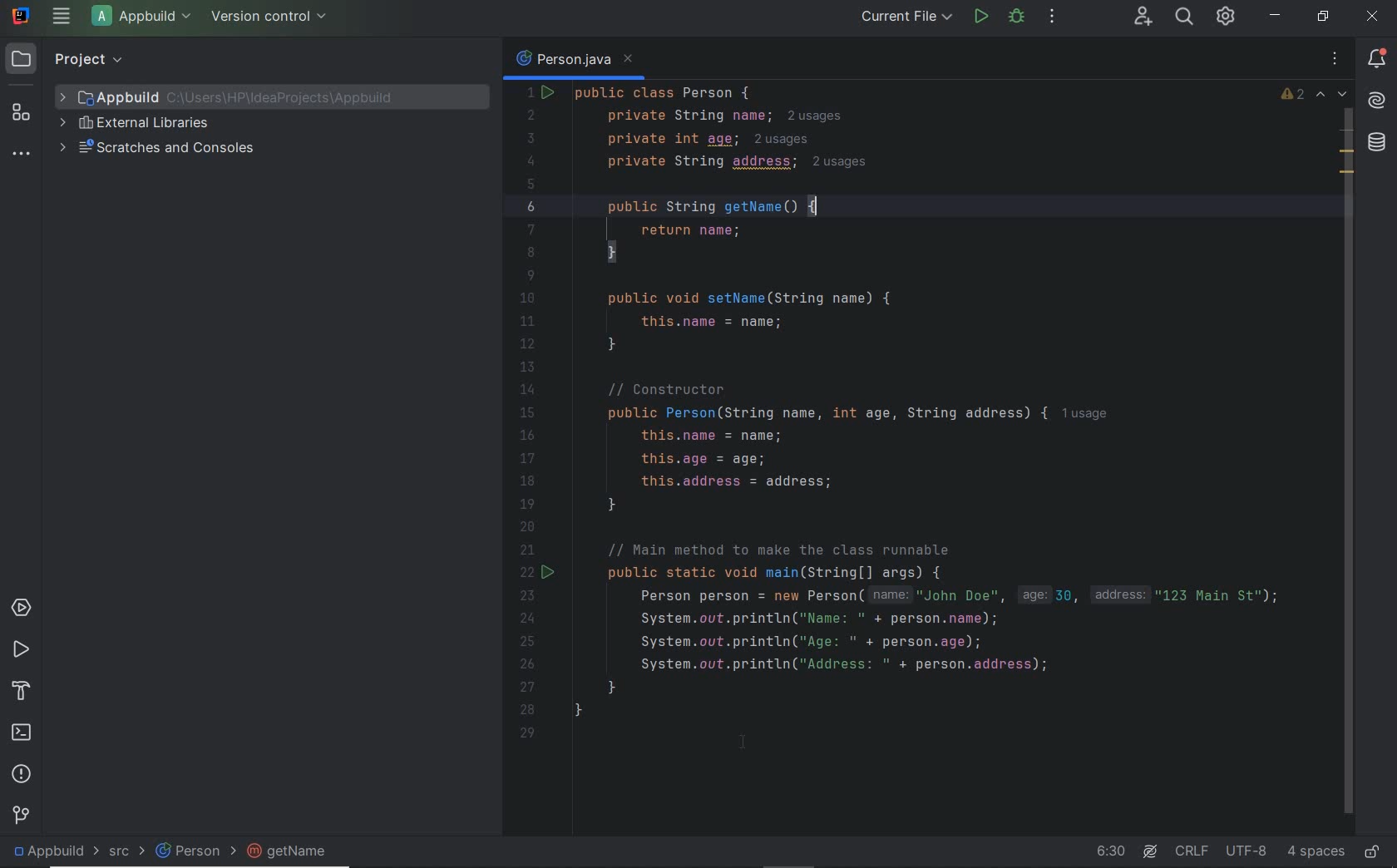 Image resolution: width=1397 pixels, height=868 pixels. I want to click on restore down, so click(1322, 16).